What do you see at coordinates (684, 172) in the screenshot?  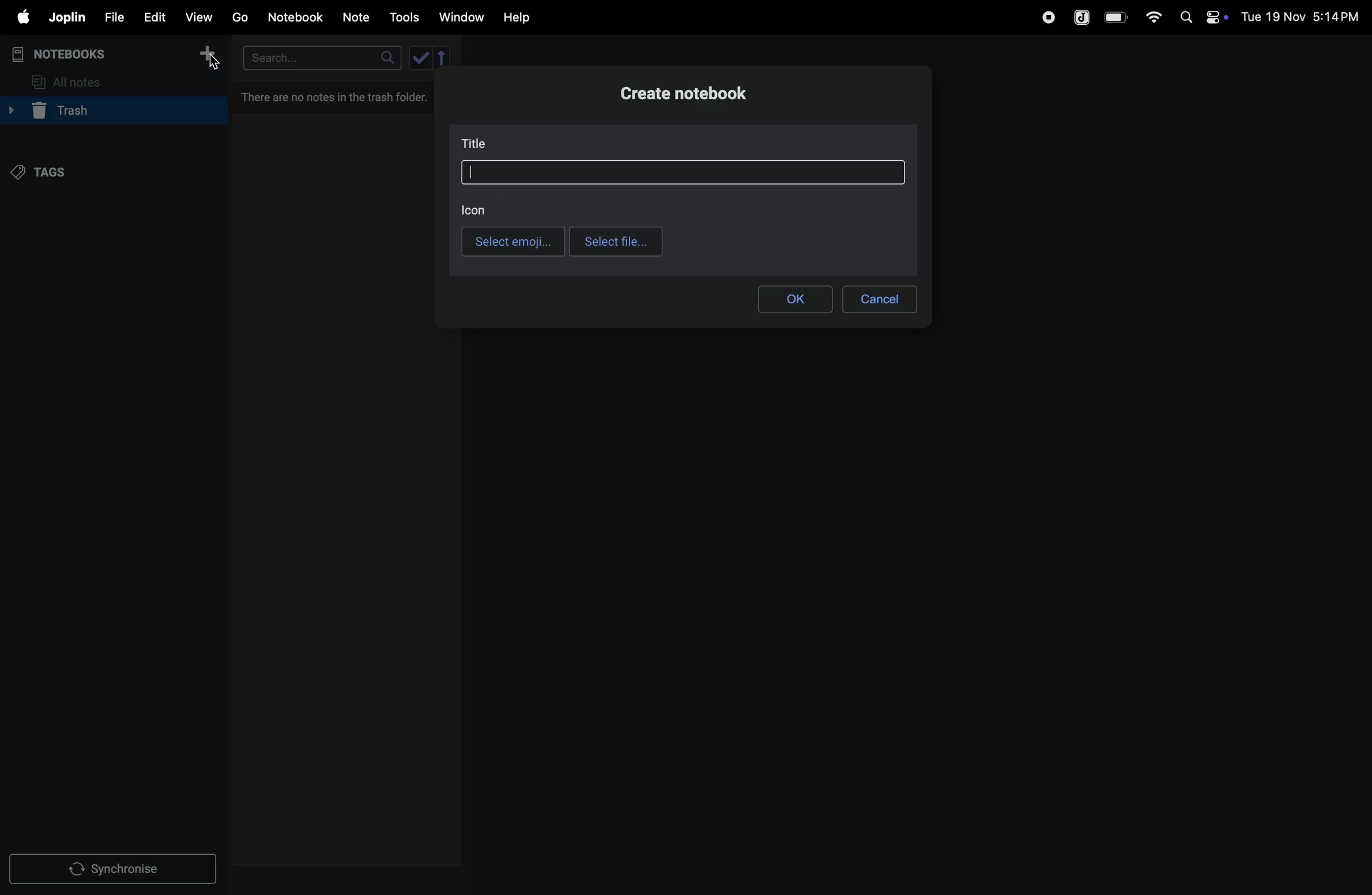 I see `textbox` at bounding box center [684, 172].